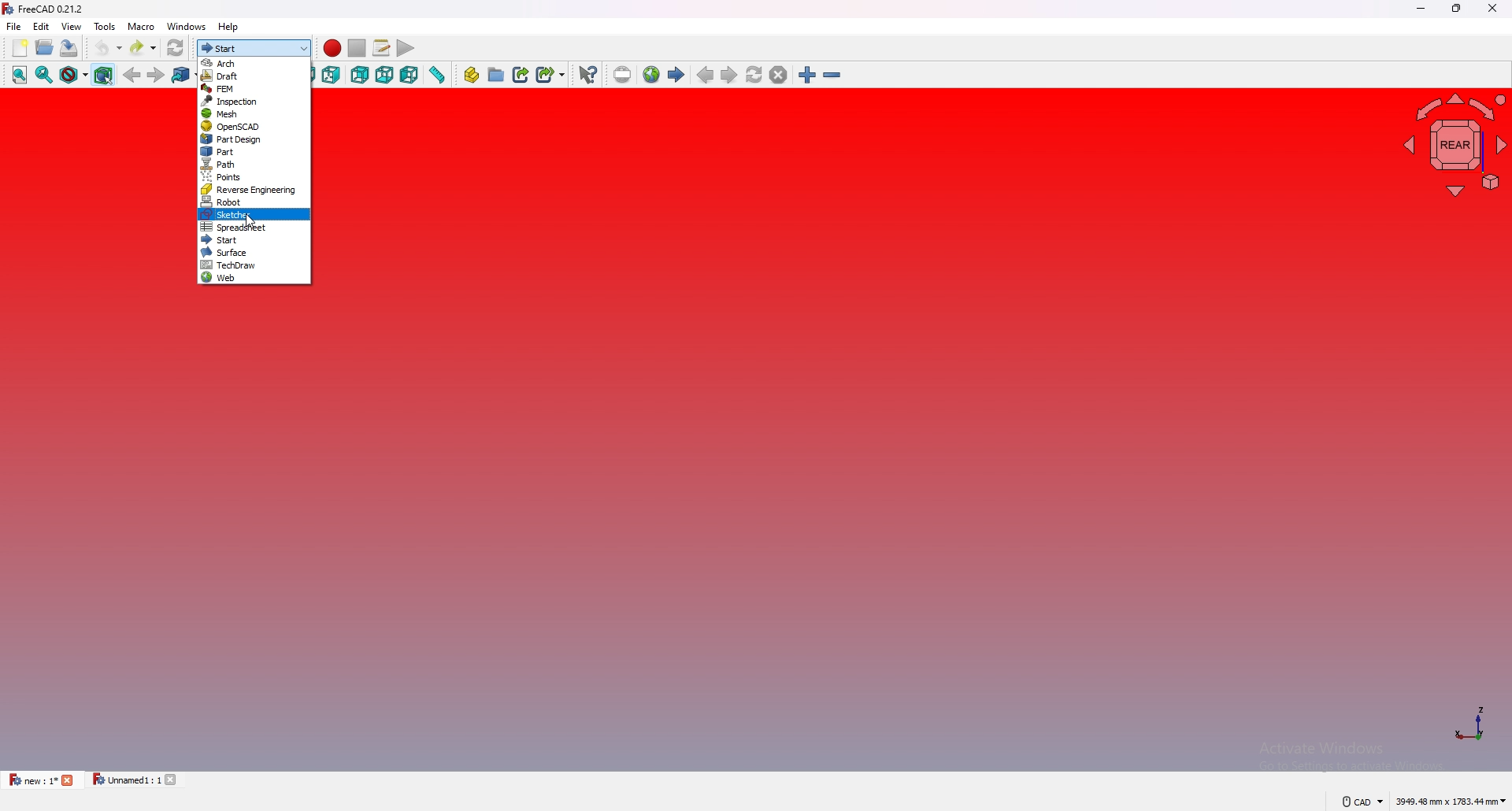  What do you see at coordinates (176, 48) in the screenshot?
I see `refresh` at bounding box center [176, 48].